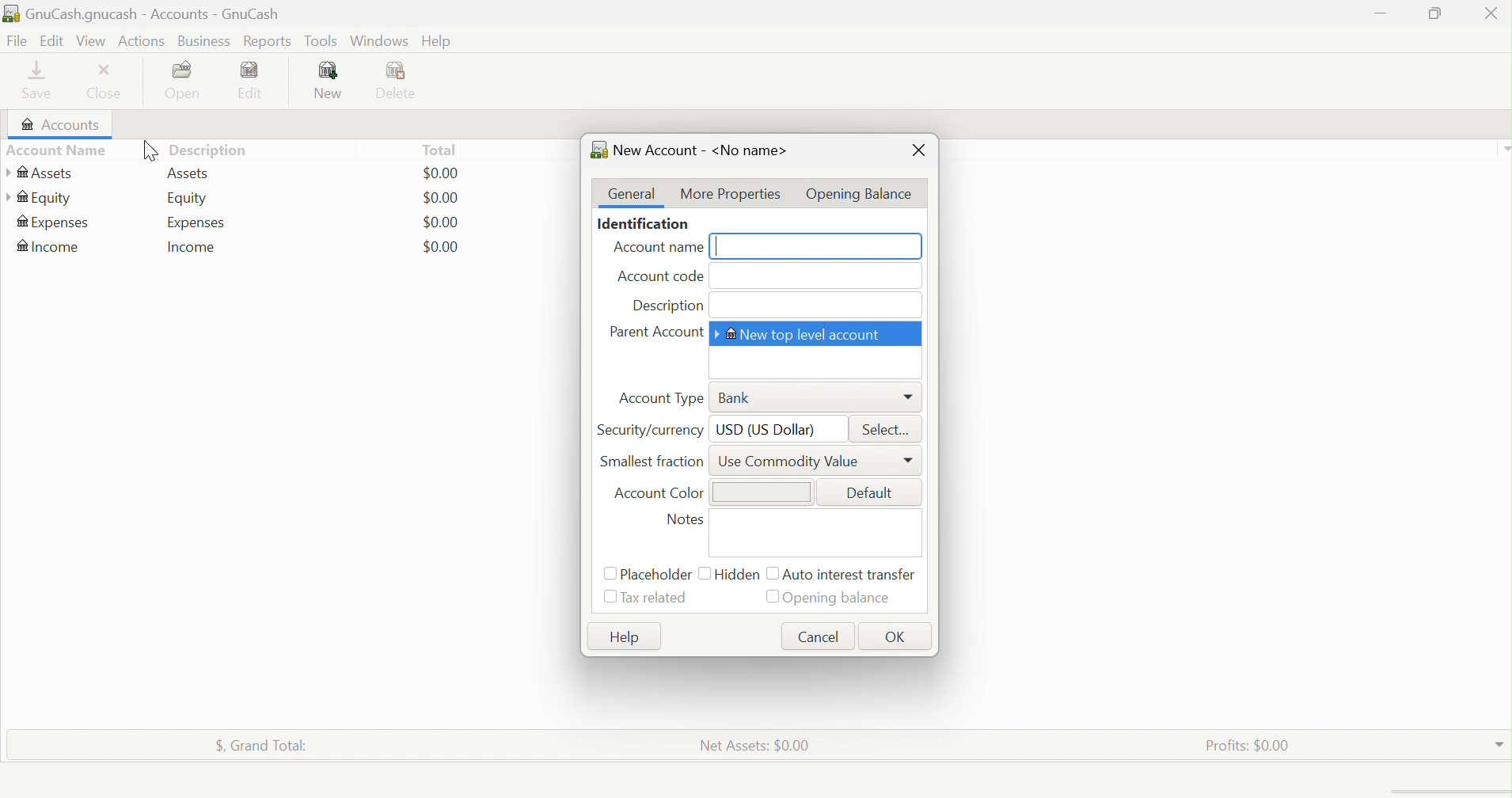 The height and width of the screenshot is (798, 1512). What do you see at coordinates (438, 42) in the screenshot?
I see `Help` at bounding box center [438, 42].